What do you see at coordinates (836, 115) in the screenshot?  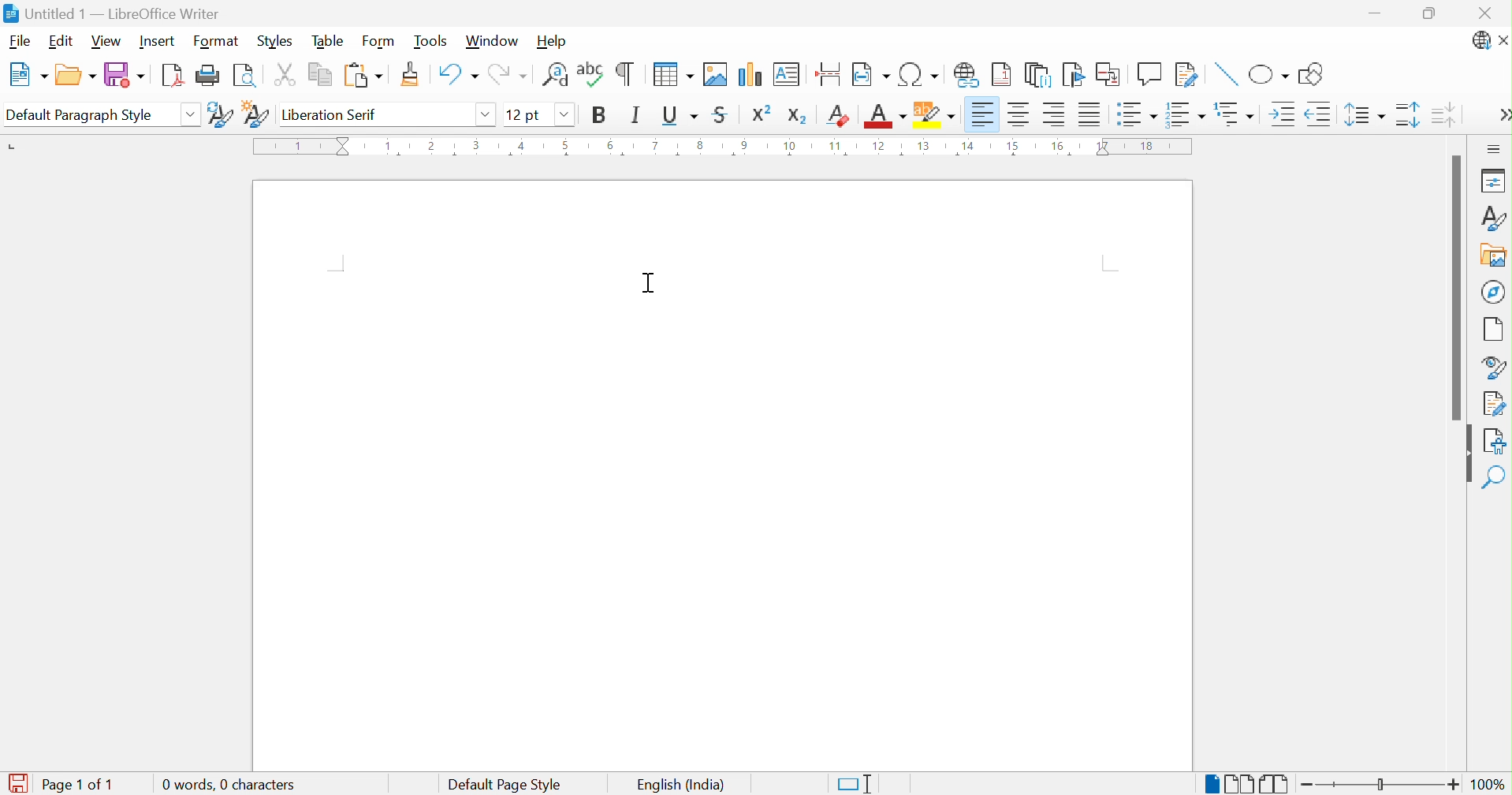 I see `Clear direct formatting` at bounding box center [836, 115].